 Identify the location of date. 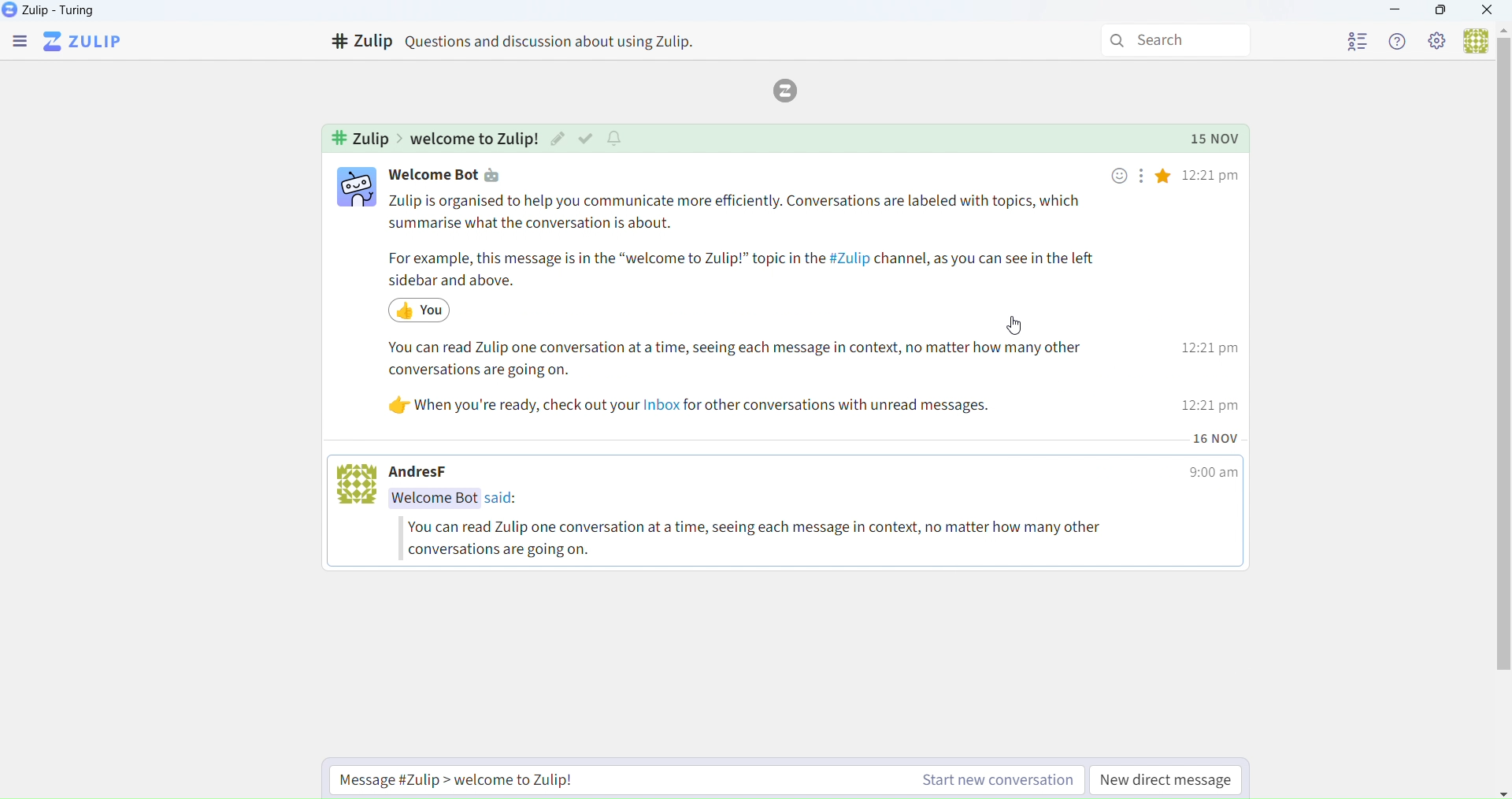
(1217, 438).